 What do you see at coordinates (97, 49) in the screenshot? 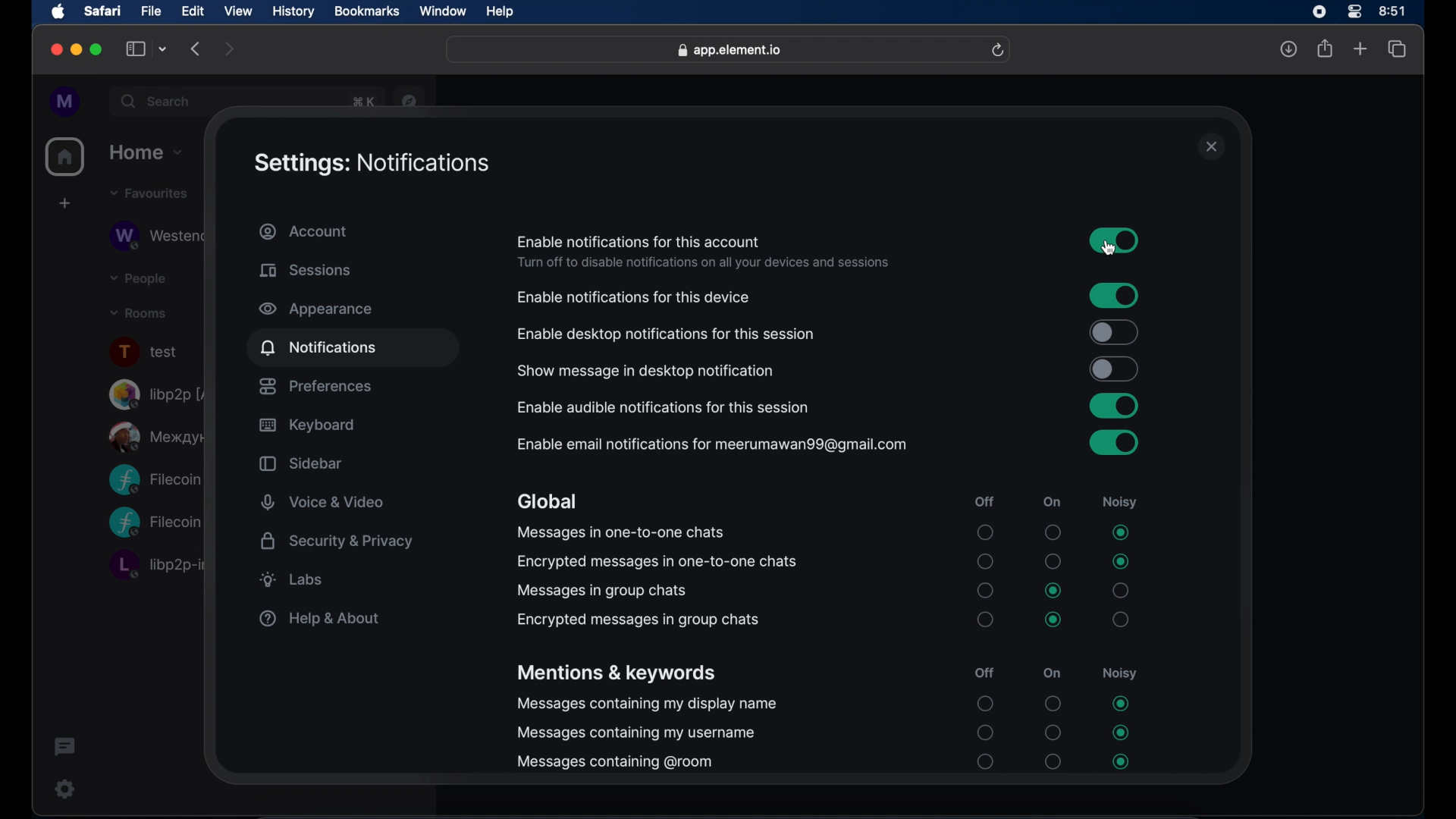
I see `maximize` at bounding box center [97, 49].